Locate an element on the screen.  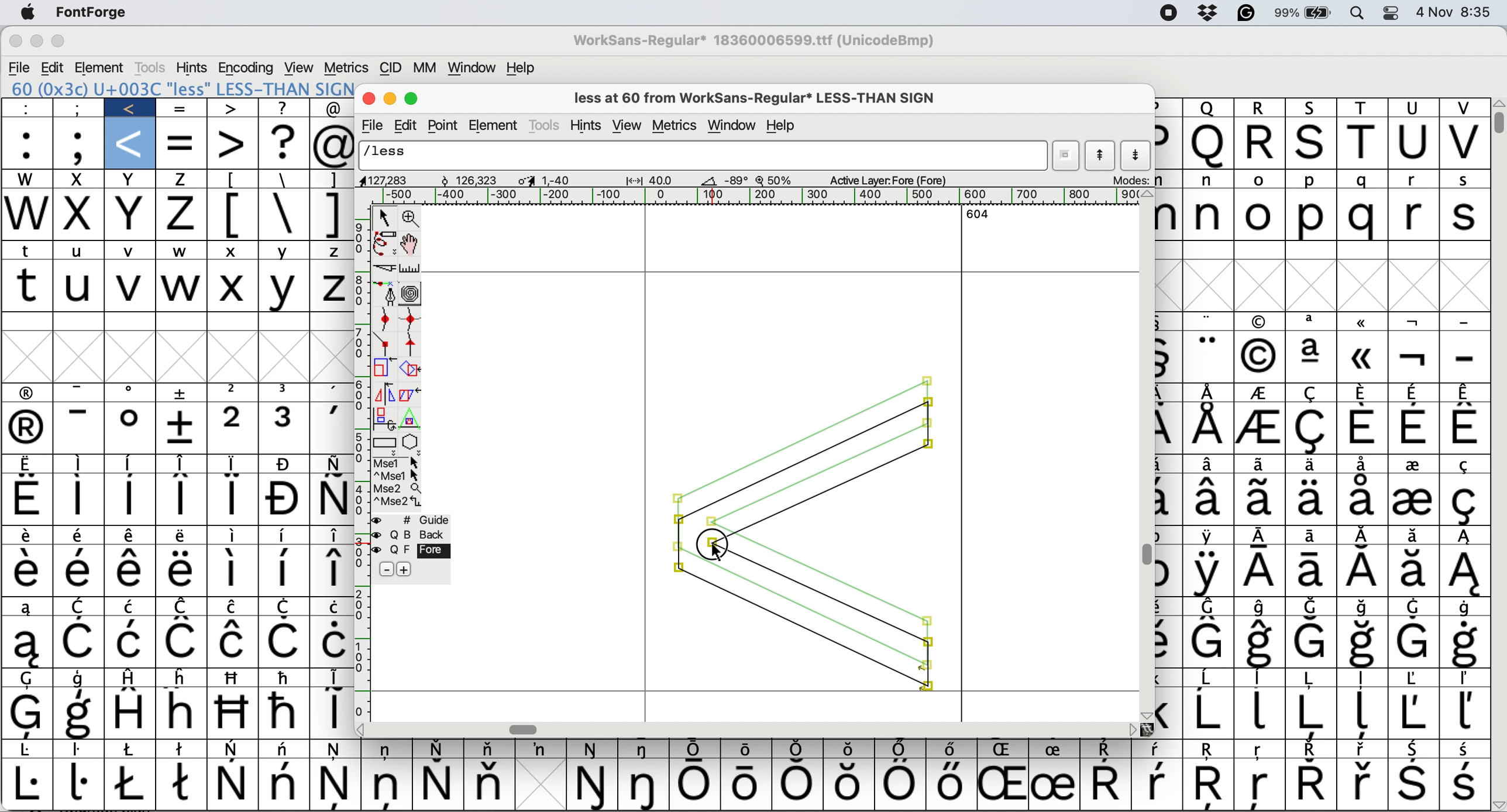
control center is located at coordinates (1395, 13).